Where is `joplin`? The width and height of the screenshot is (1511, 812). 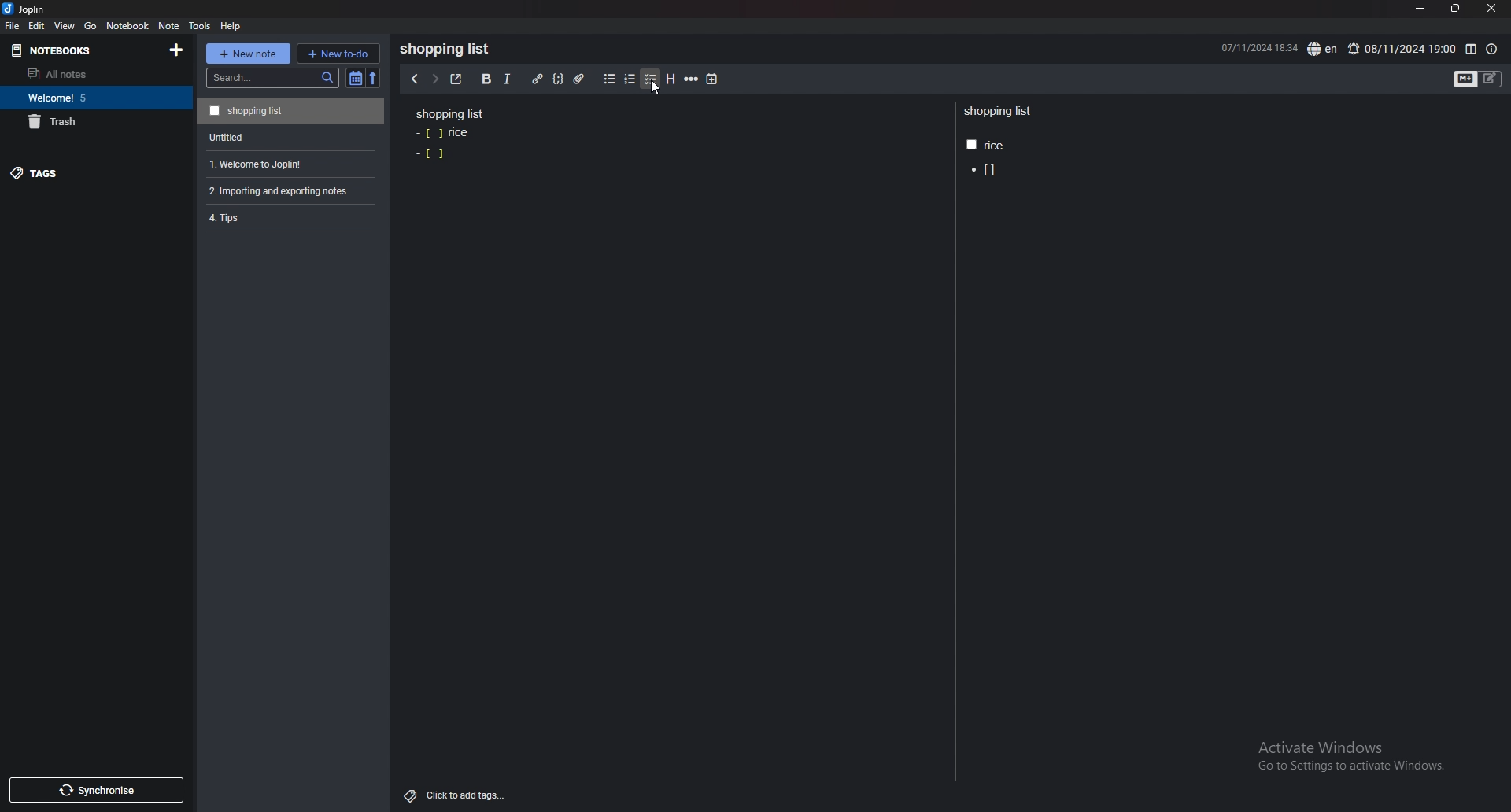
joplin is located at coordinates (27, 9).